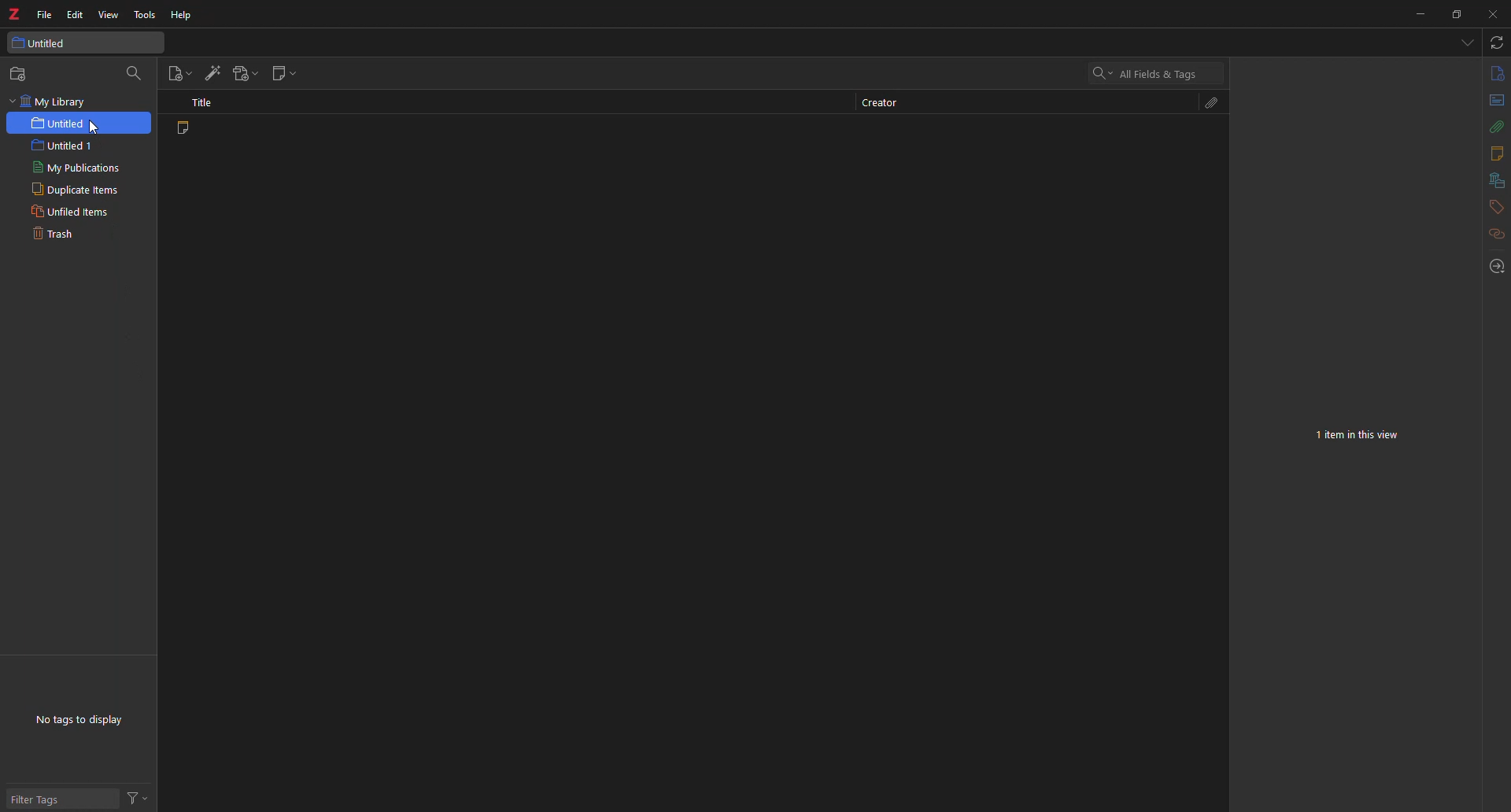  I want to click on no item, so click(1360, 434).